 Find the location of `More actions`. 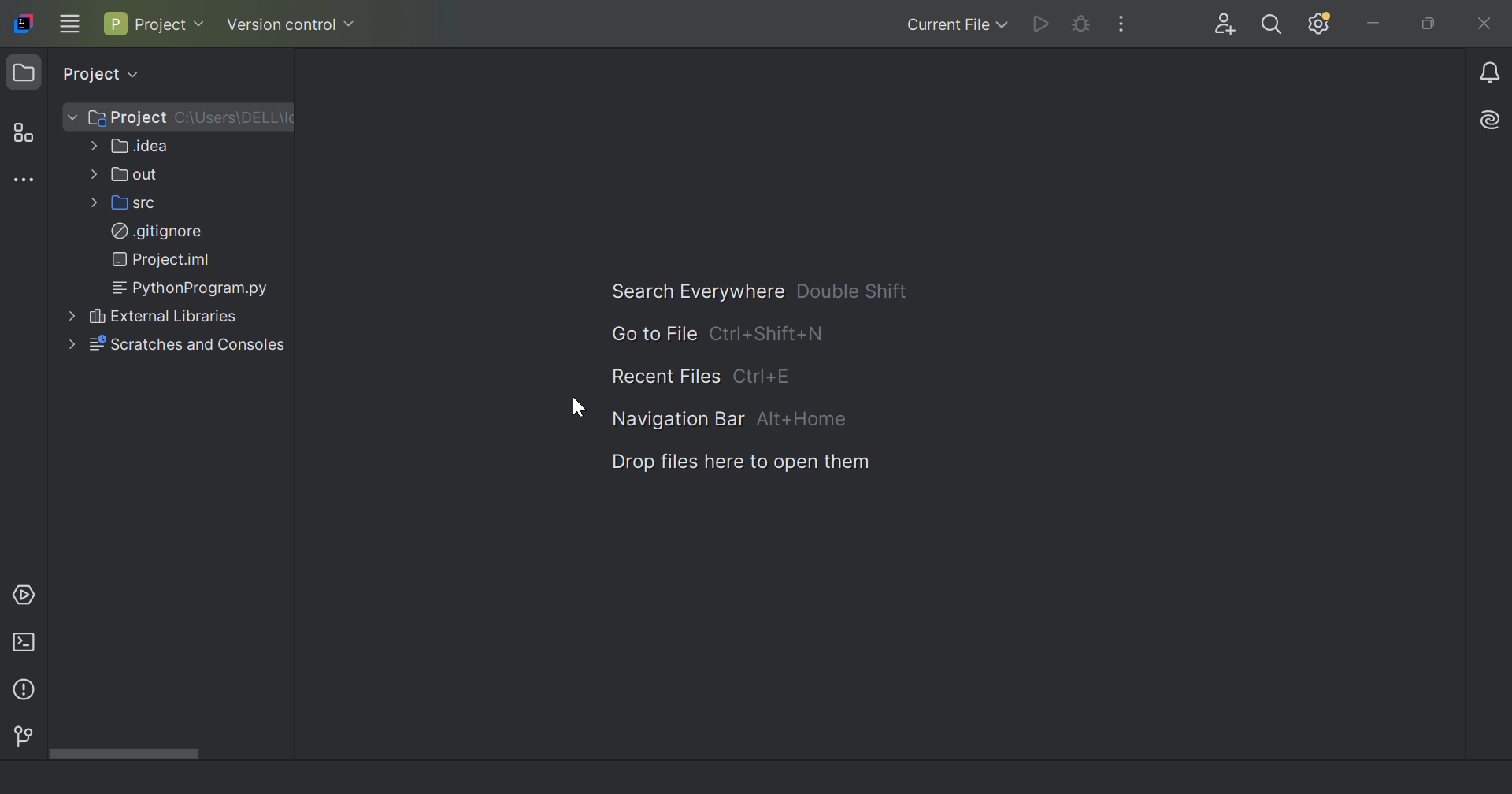

More actions is located at coordinates (1122, 23).